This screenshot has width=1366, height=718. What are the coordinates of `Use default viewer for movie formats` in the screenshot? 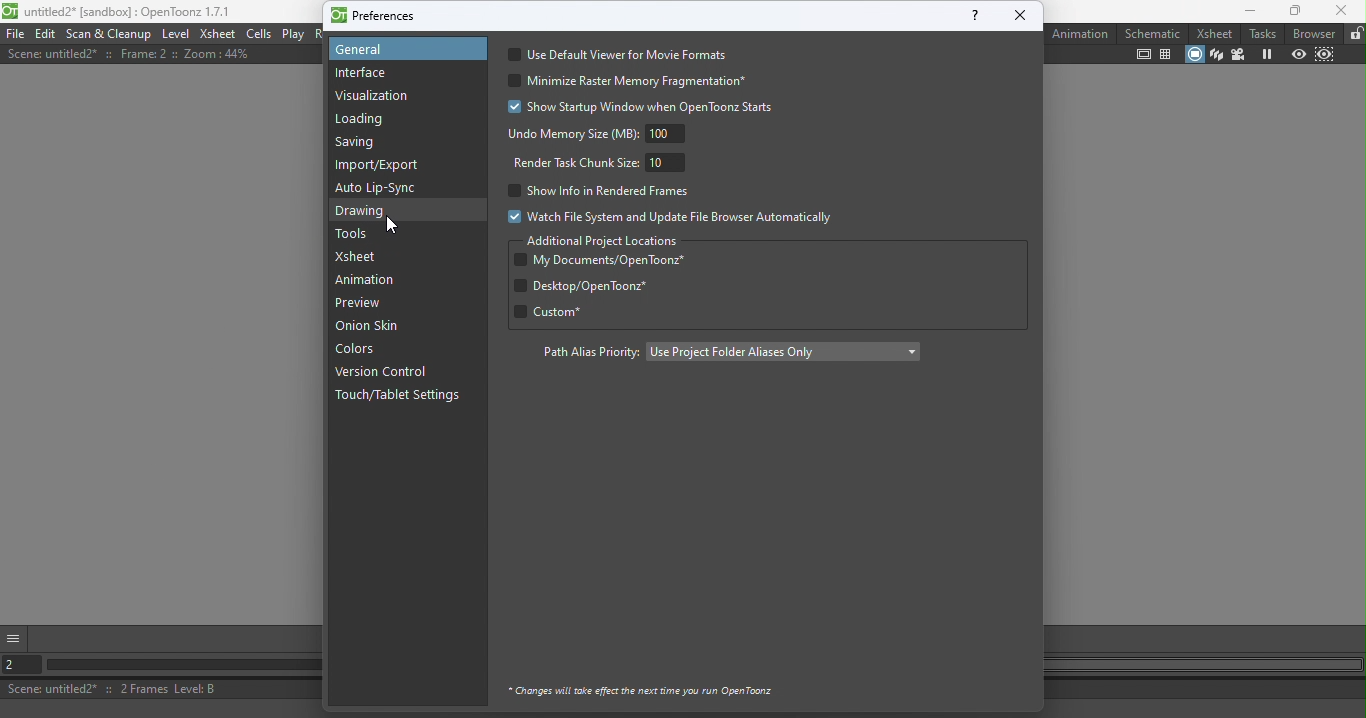 It's located at (624, 54).